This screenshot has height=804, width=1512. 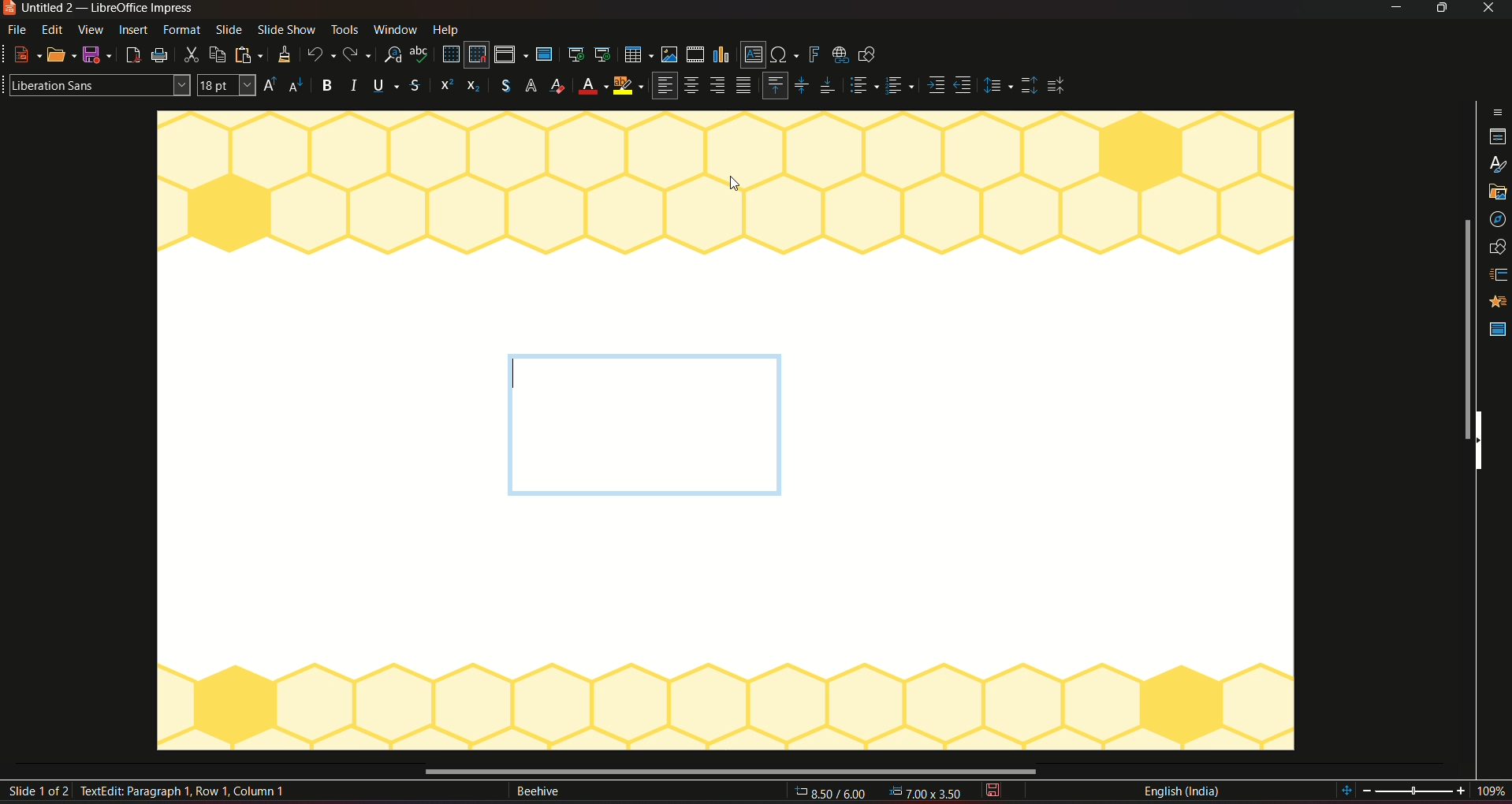 I want to click on insert text box, so click(x=752, y=55).